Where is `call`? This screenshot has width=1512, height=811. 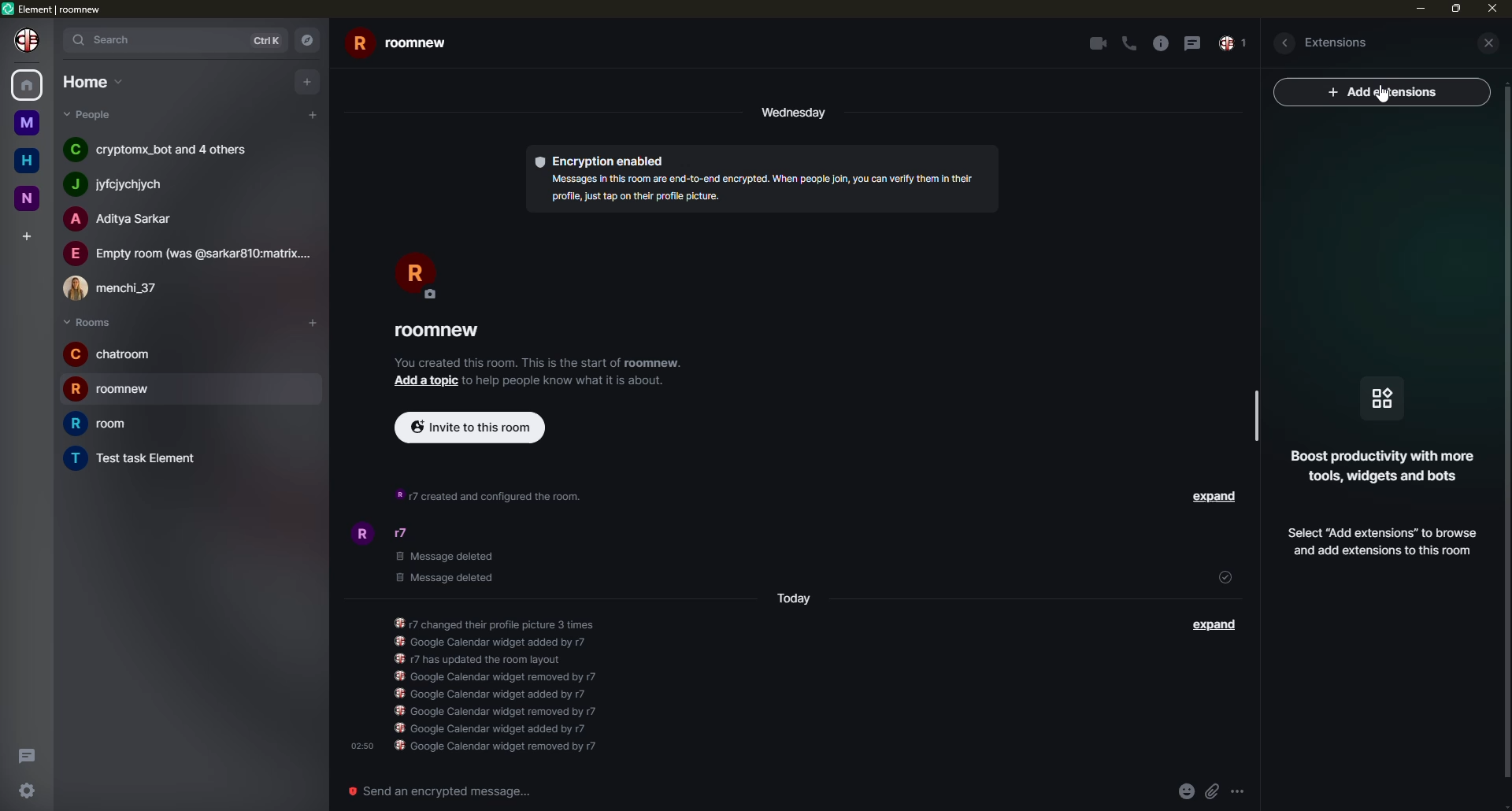
call is located at coordinates (1130, 44).